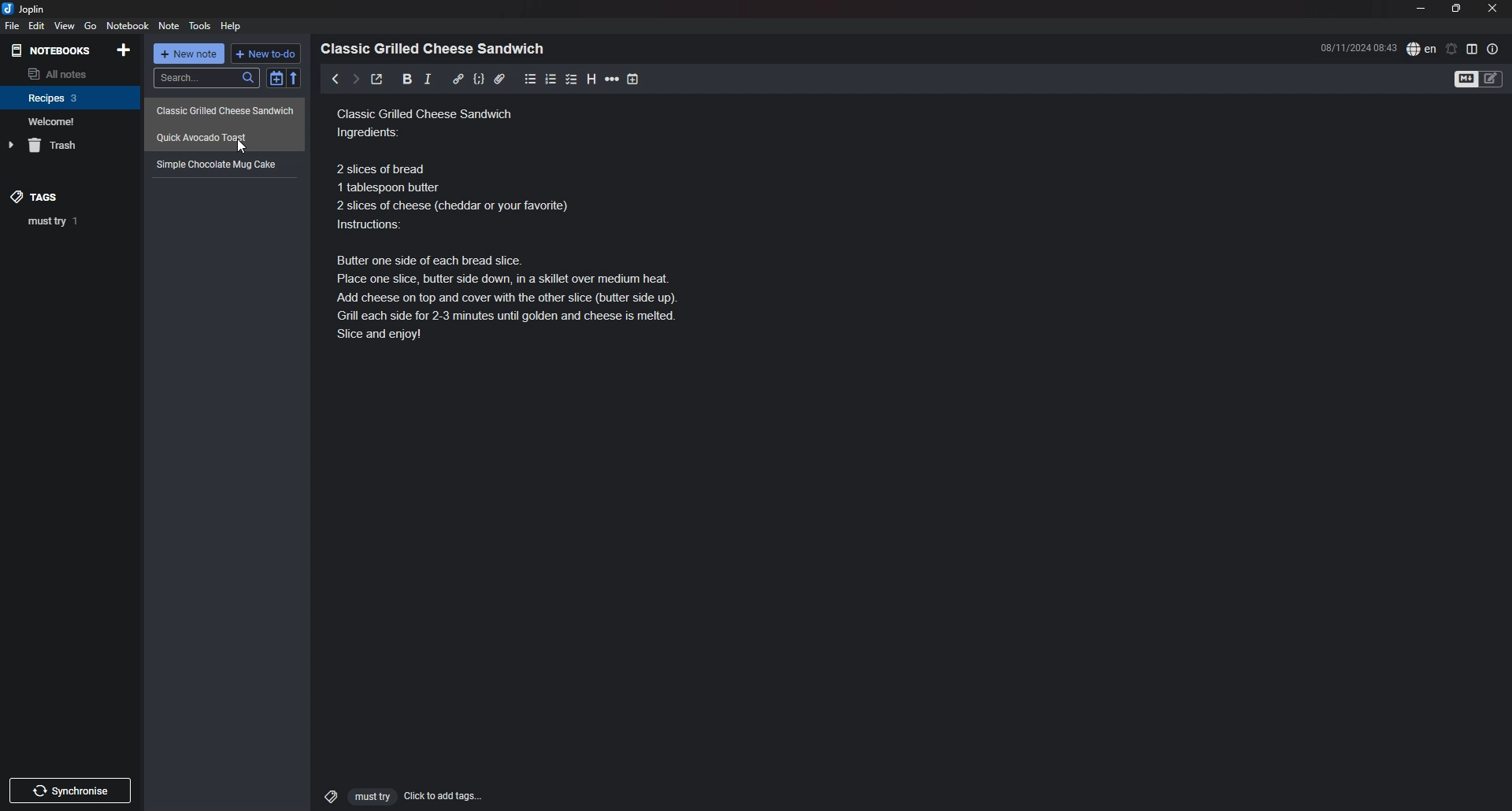 The height and width of the screenshot is (811, 1512). Describe the element at coordinates (267, 54) in the screenshot. I see `new todo` at that location.